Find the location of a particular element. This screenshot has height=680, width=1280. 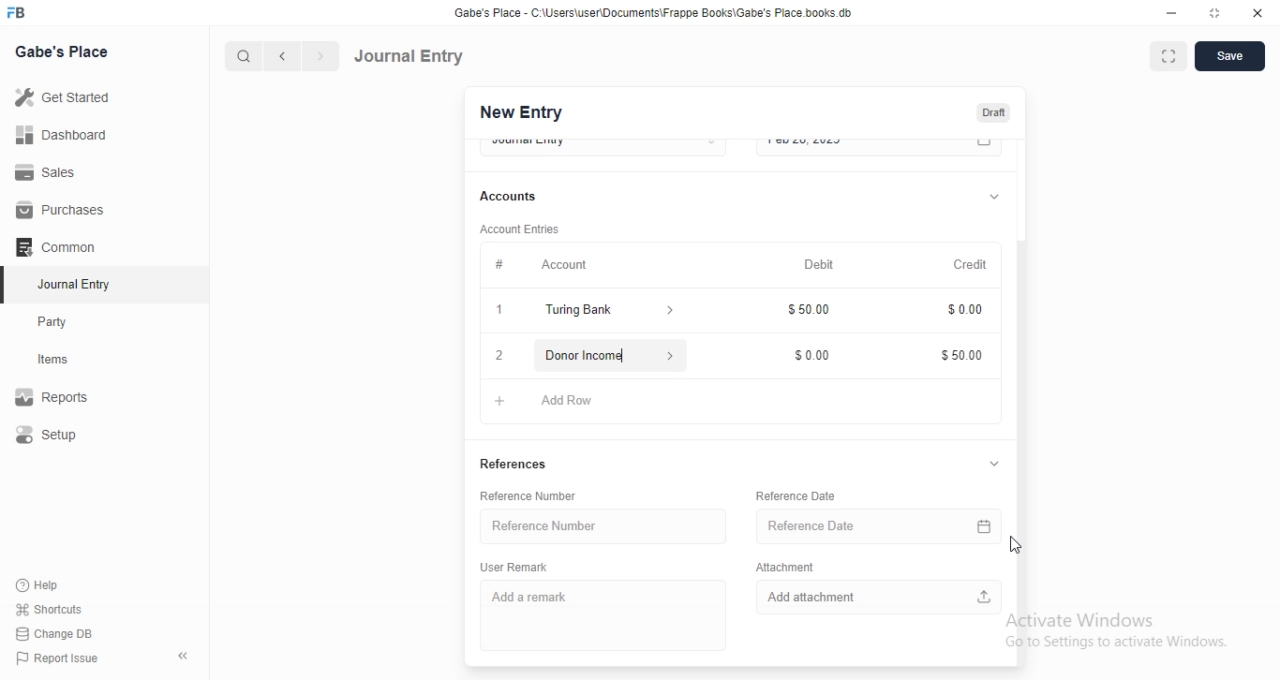

Common is located at coordinates (61, 247).